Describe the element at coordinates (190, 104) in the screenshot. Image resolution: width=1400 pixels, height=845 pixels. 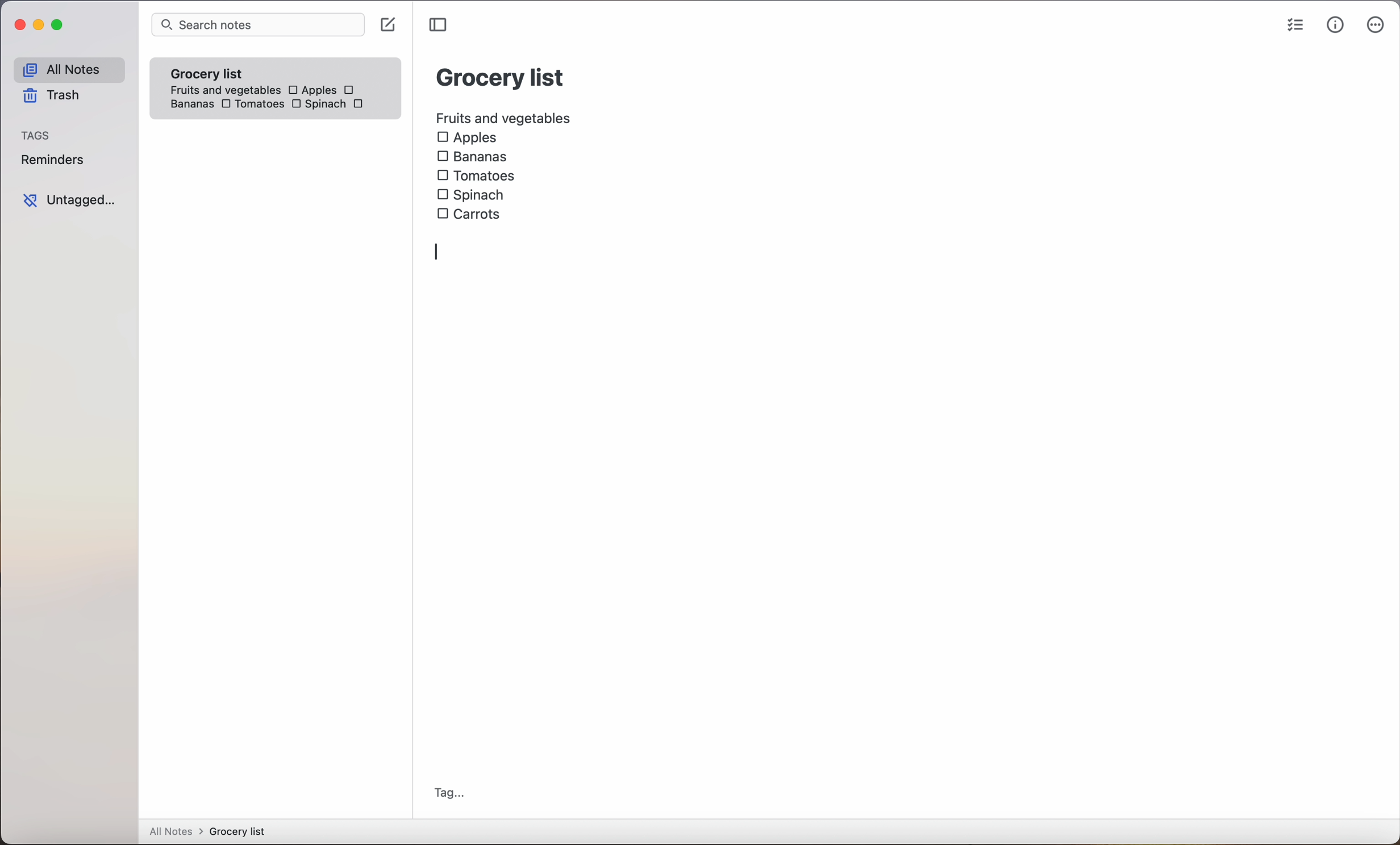
I see `bananas` at that location.